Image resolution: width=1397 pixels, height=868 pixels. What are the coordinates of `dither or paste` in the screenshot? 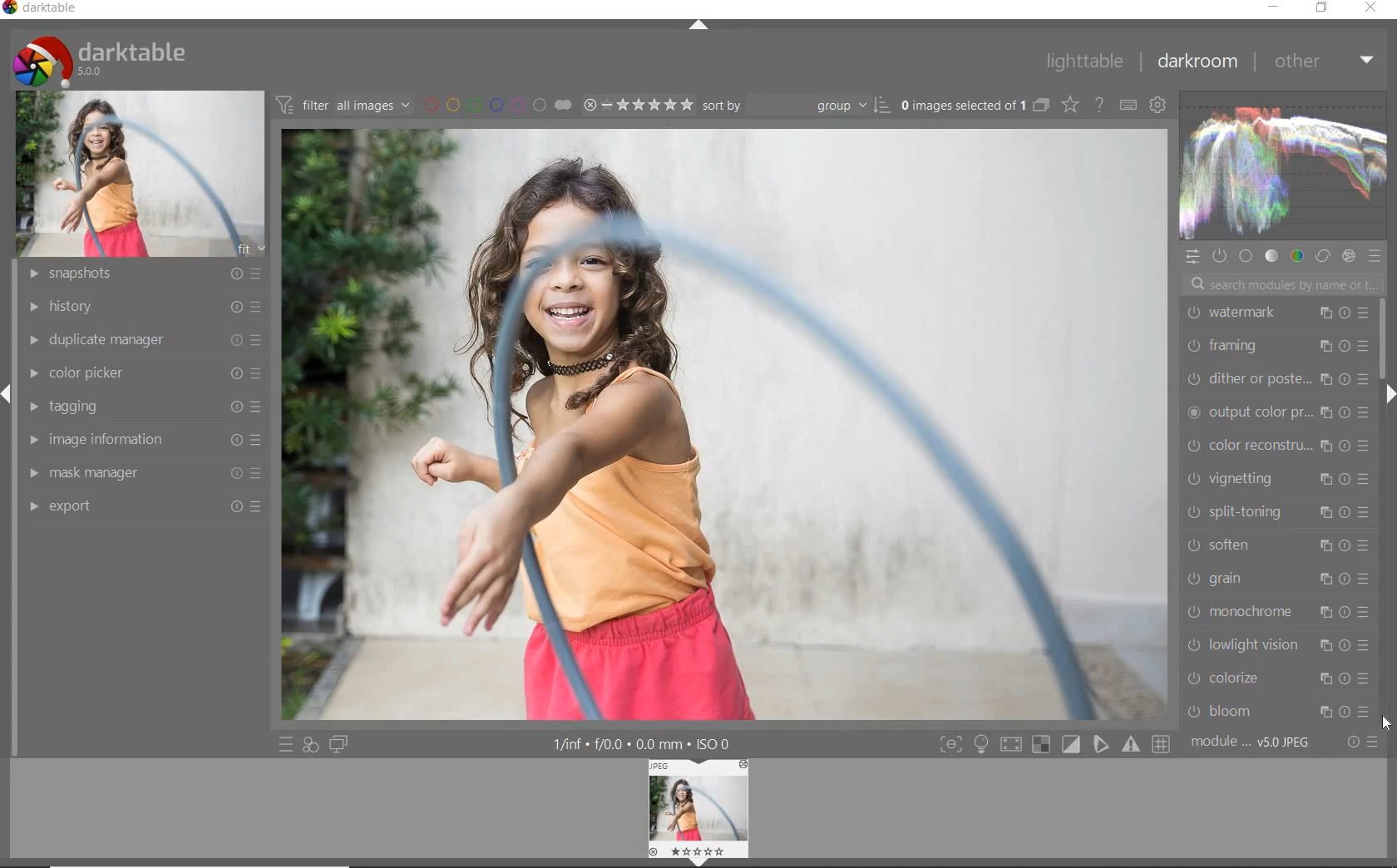 It's located at (1274, 380).